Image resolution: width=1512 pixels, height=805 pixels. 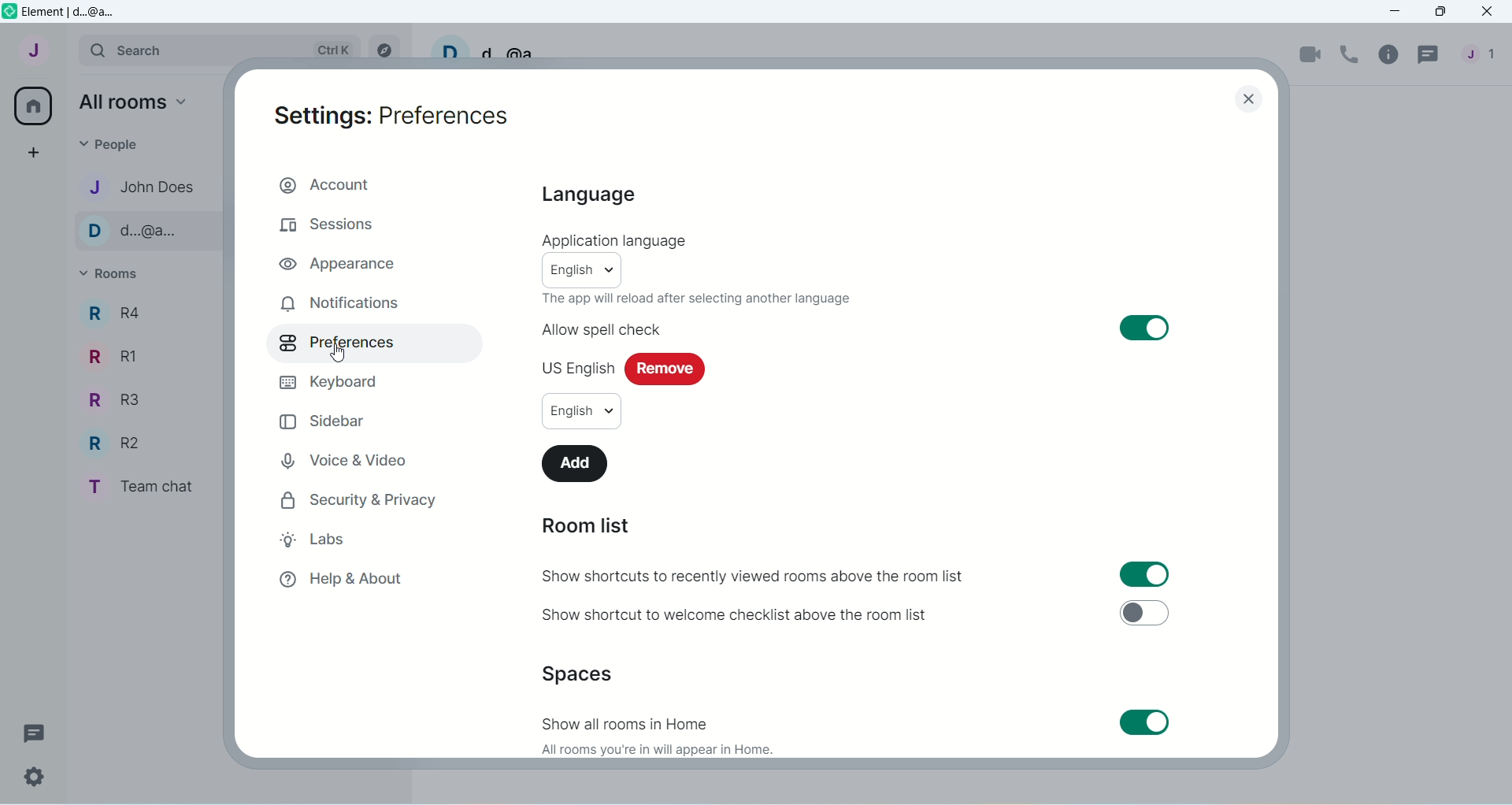 I want to click on Create a space, so click(x=28, y=150).